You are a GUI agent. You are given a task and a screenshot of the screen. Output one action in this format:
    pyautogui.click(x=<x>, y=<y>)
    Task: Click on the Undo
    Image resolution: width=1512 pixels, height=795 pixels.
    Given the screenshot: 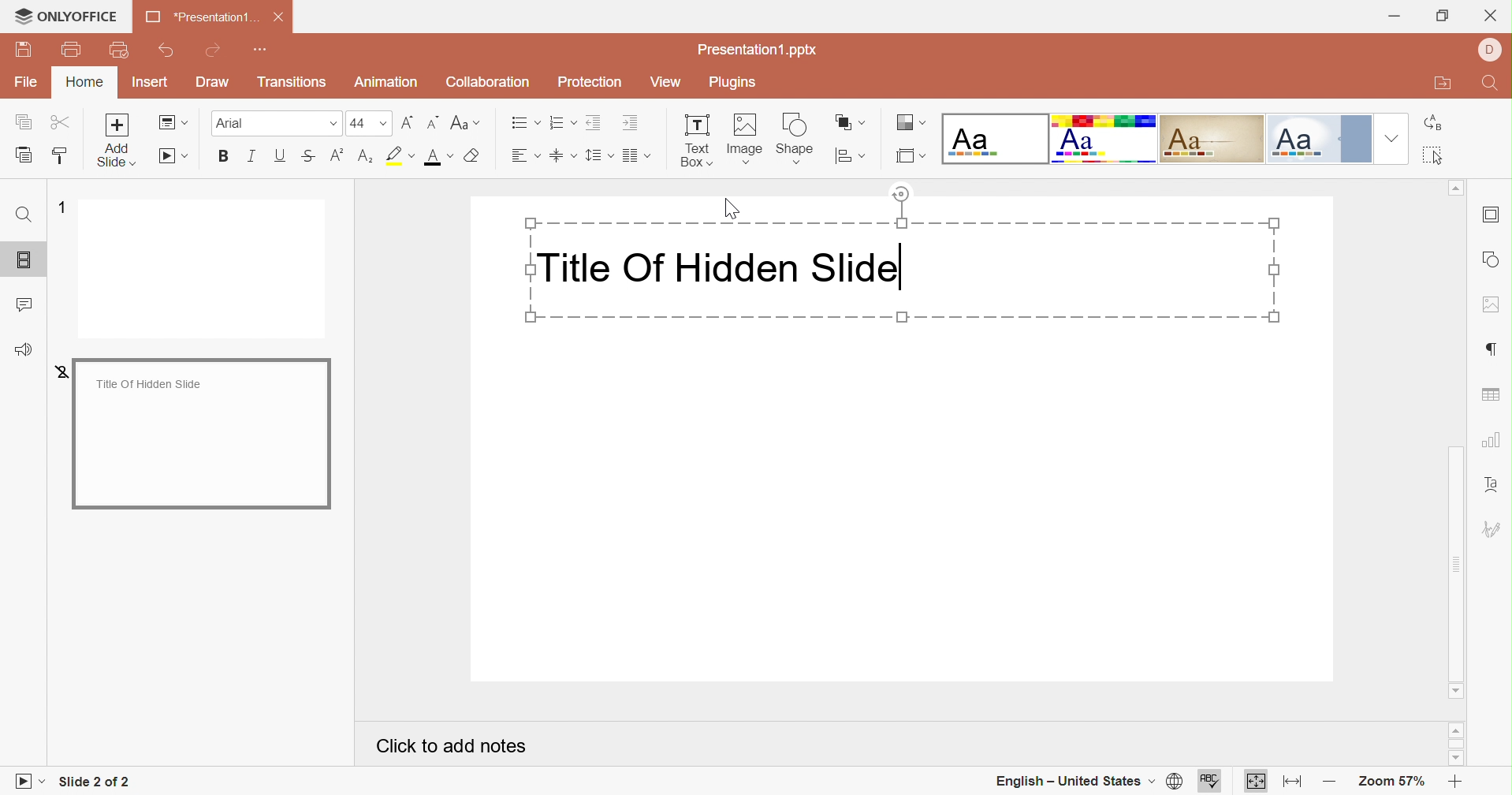 What is the action you would take?
    pyautogui.click(x=166, y=53)
    